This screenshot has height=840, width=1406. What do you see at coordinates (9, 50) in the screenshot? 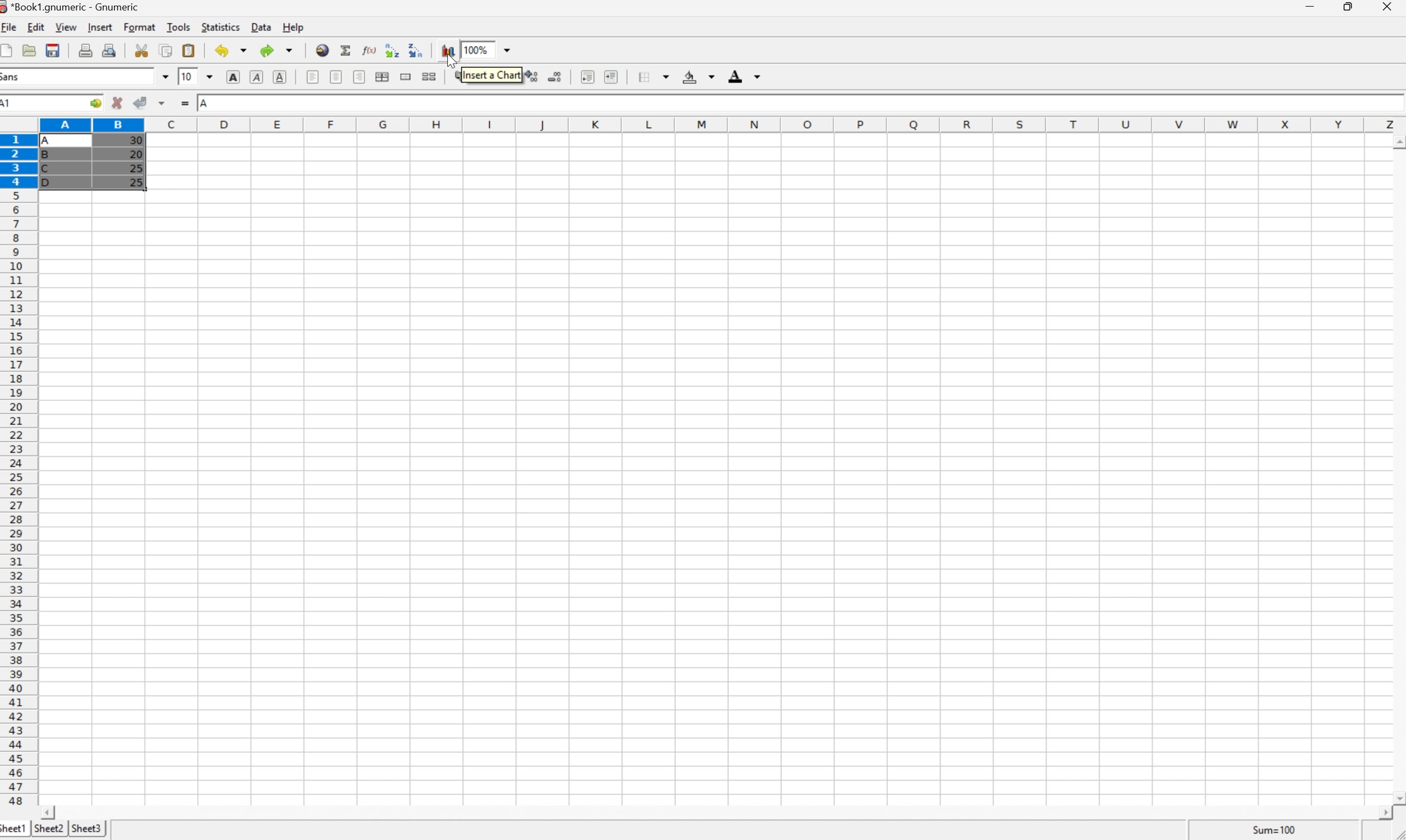
I see `Create a new workbook` at bounding box center [9, 50].